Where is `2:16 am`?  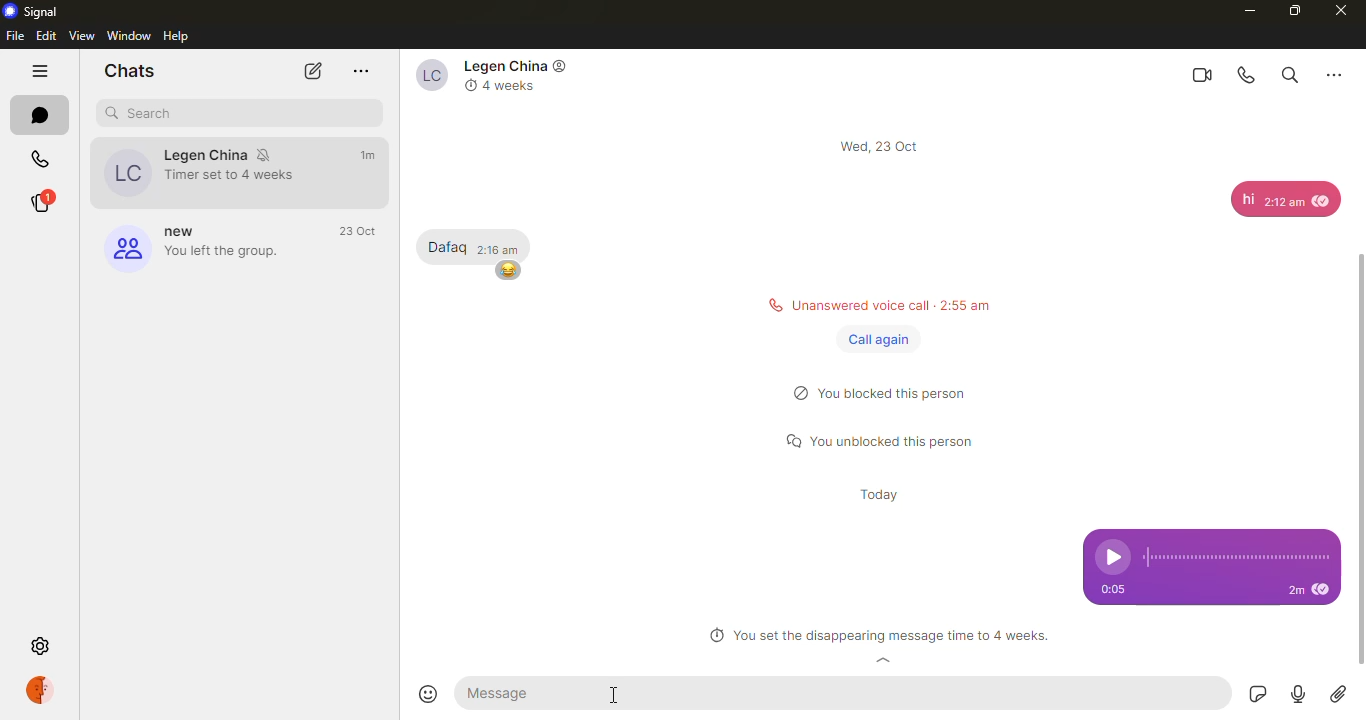 2:16 am is located at coordinates (498, 248).